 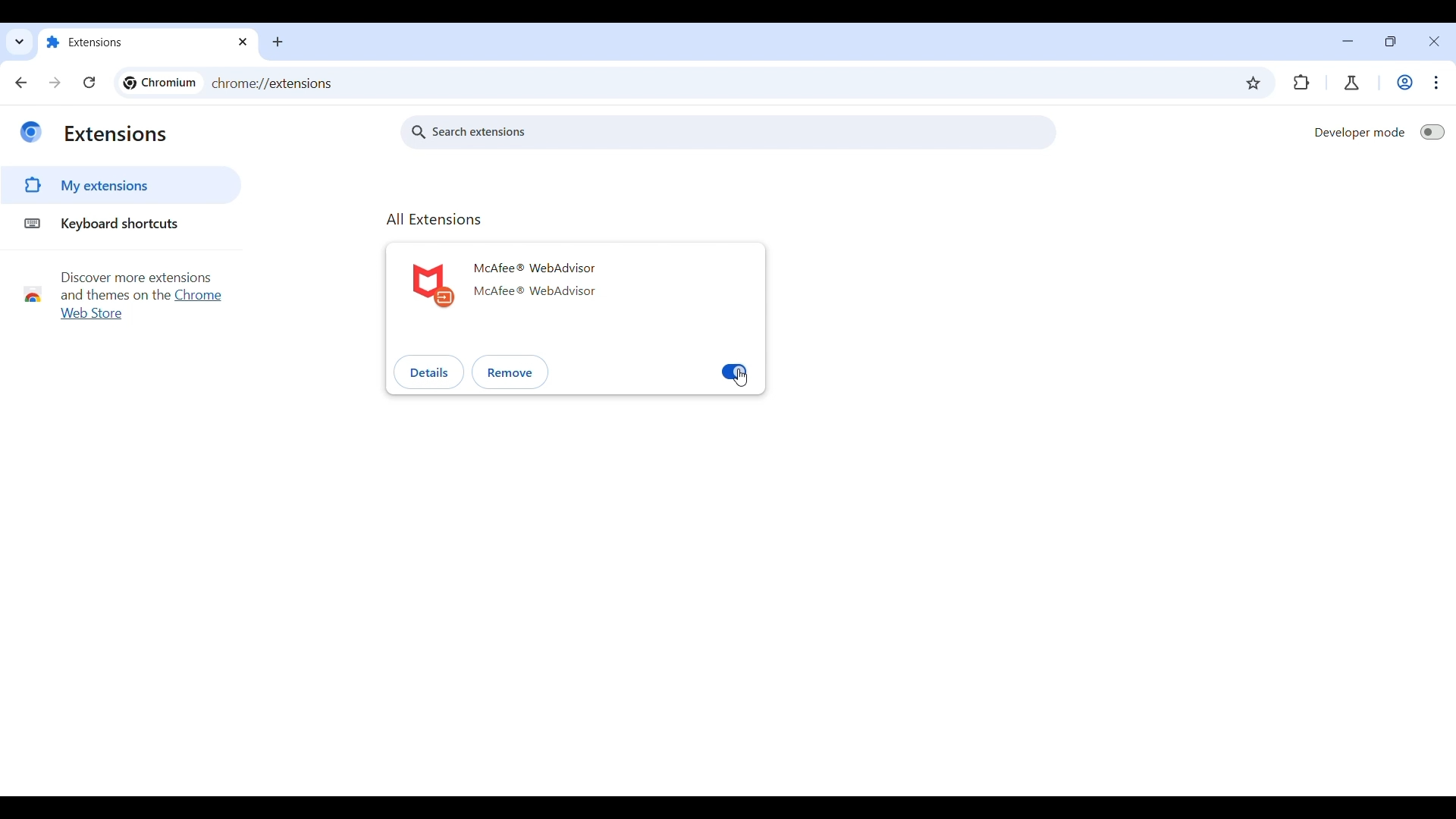 What do you see at coordinates (1348, 41) in the screenshot?
I see `Minimize` at bounding box center [1348, 41].